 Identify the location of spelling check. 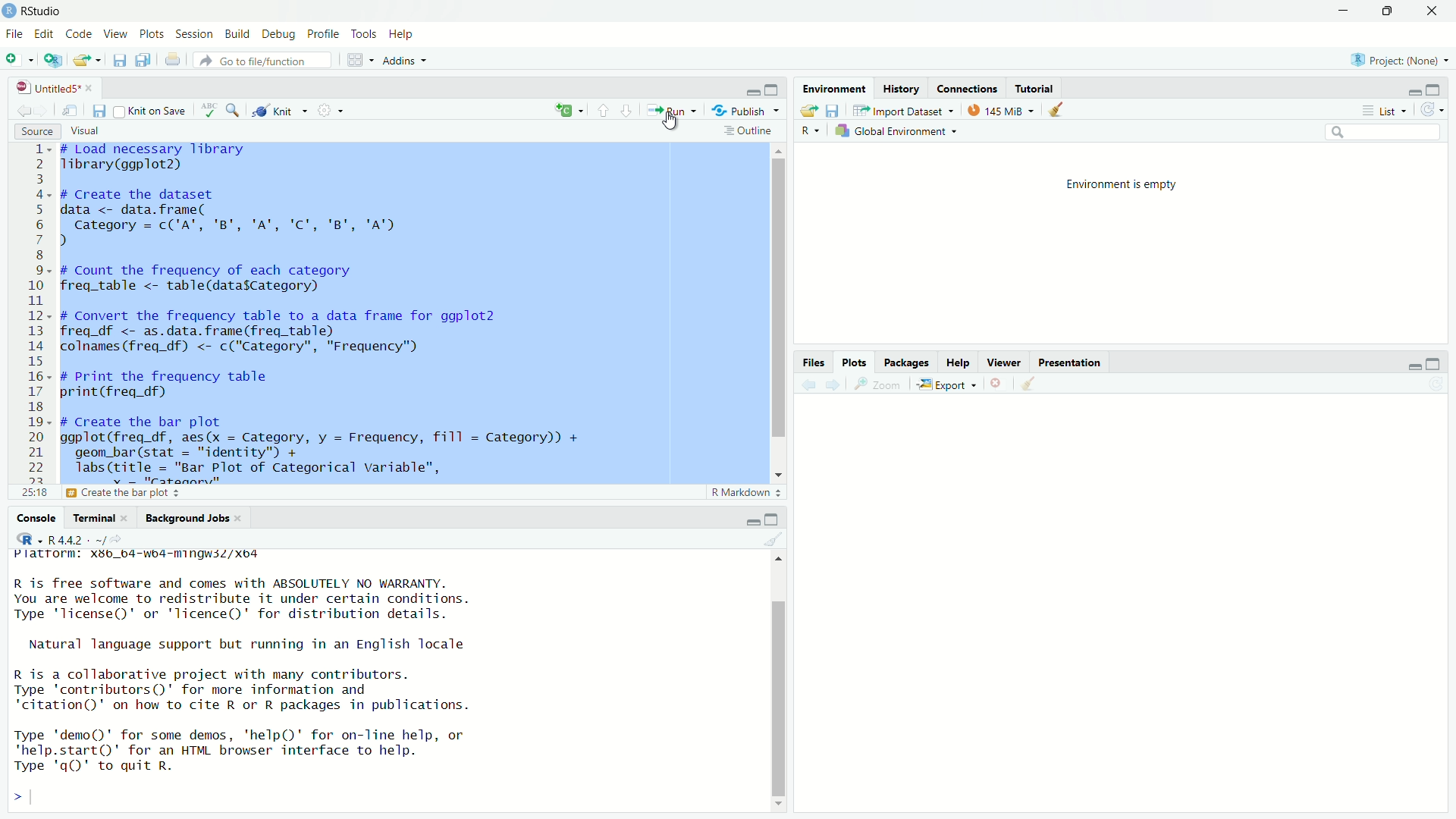
(210, 111).